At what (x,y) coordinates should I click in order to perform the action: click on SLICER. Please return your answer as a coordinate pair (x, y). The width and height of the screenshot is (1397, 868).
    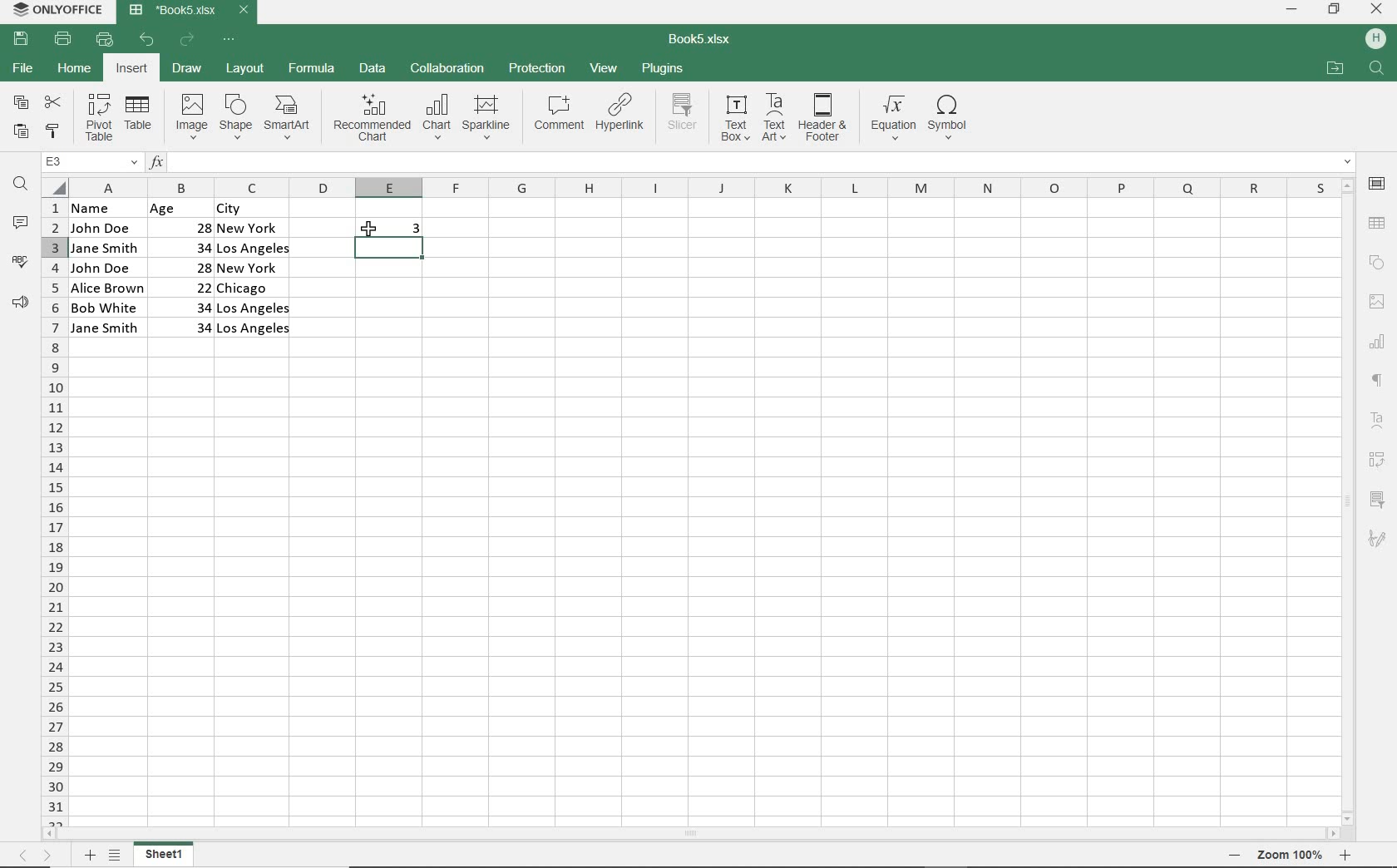
    Looking at the image, I should click on (684, 119).